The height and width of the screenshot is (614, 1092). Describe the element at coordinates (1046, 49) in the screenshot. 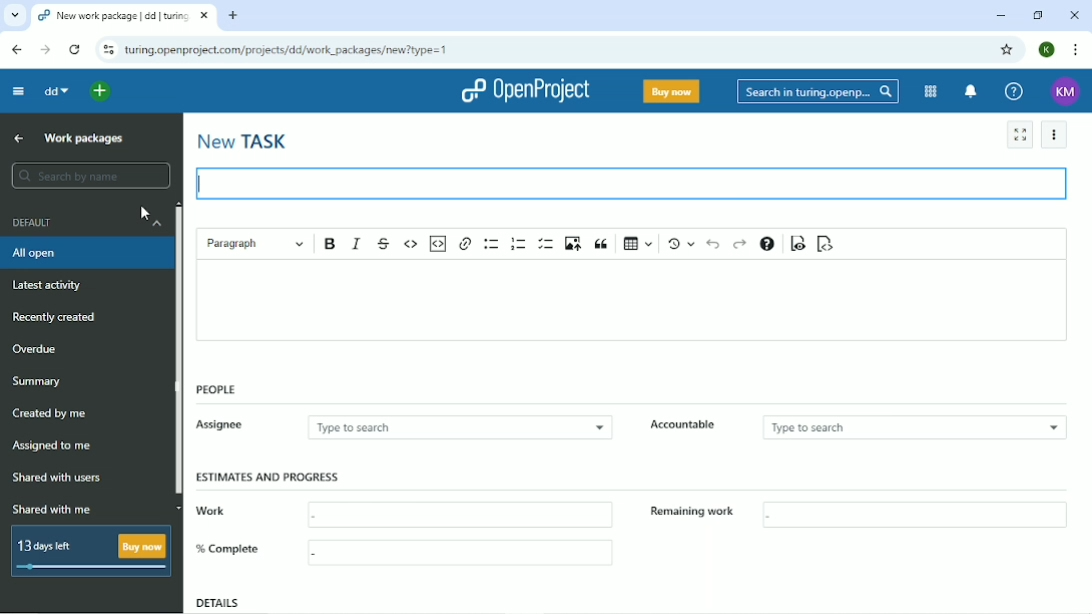

I see `K` at that location.